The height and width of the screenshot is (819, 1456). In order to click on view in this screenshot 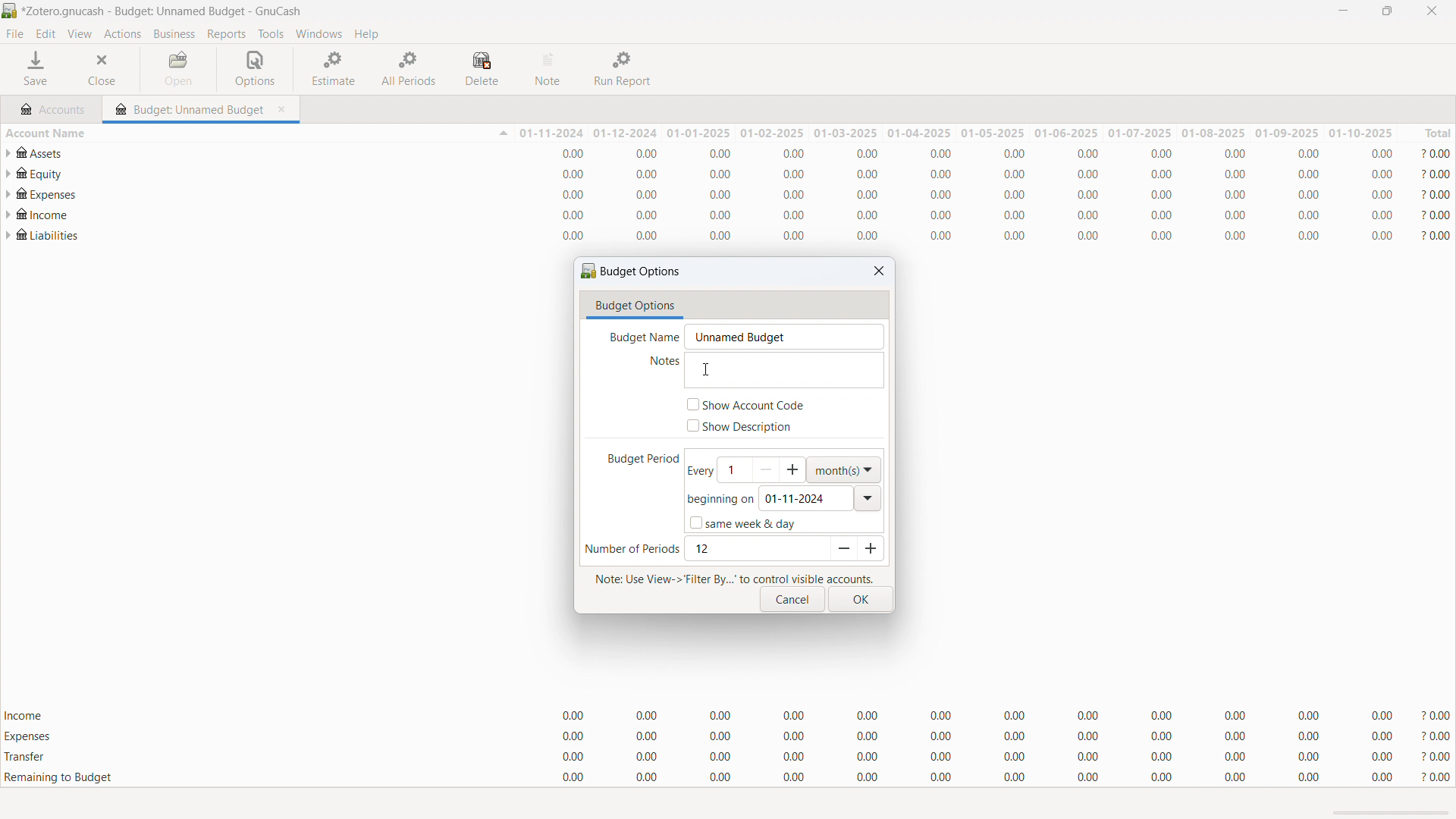, I will do `click(79, 34)`.